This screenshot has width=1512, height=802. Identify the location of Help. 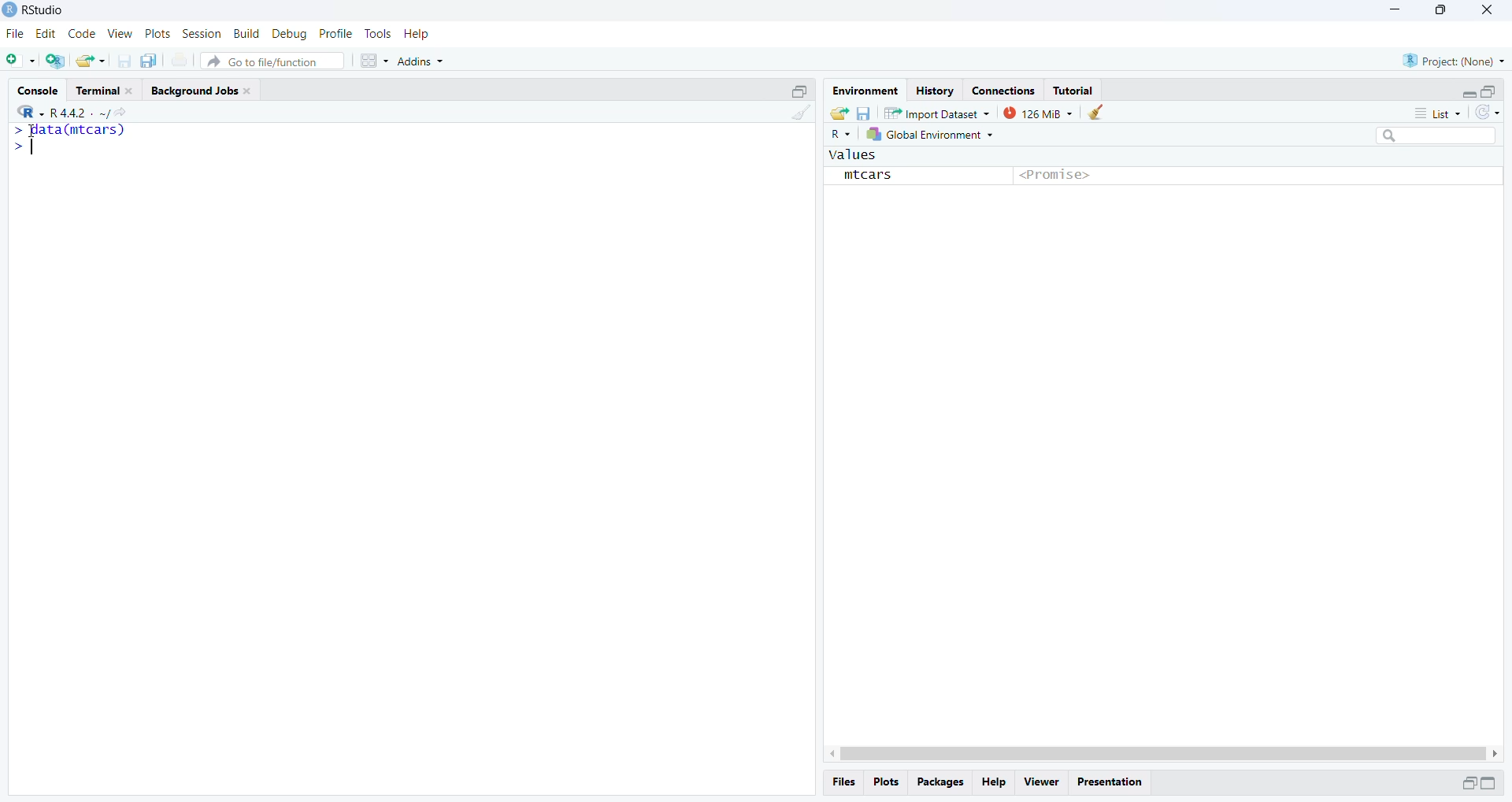
(994, 783).